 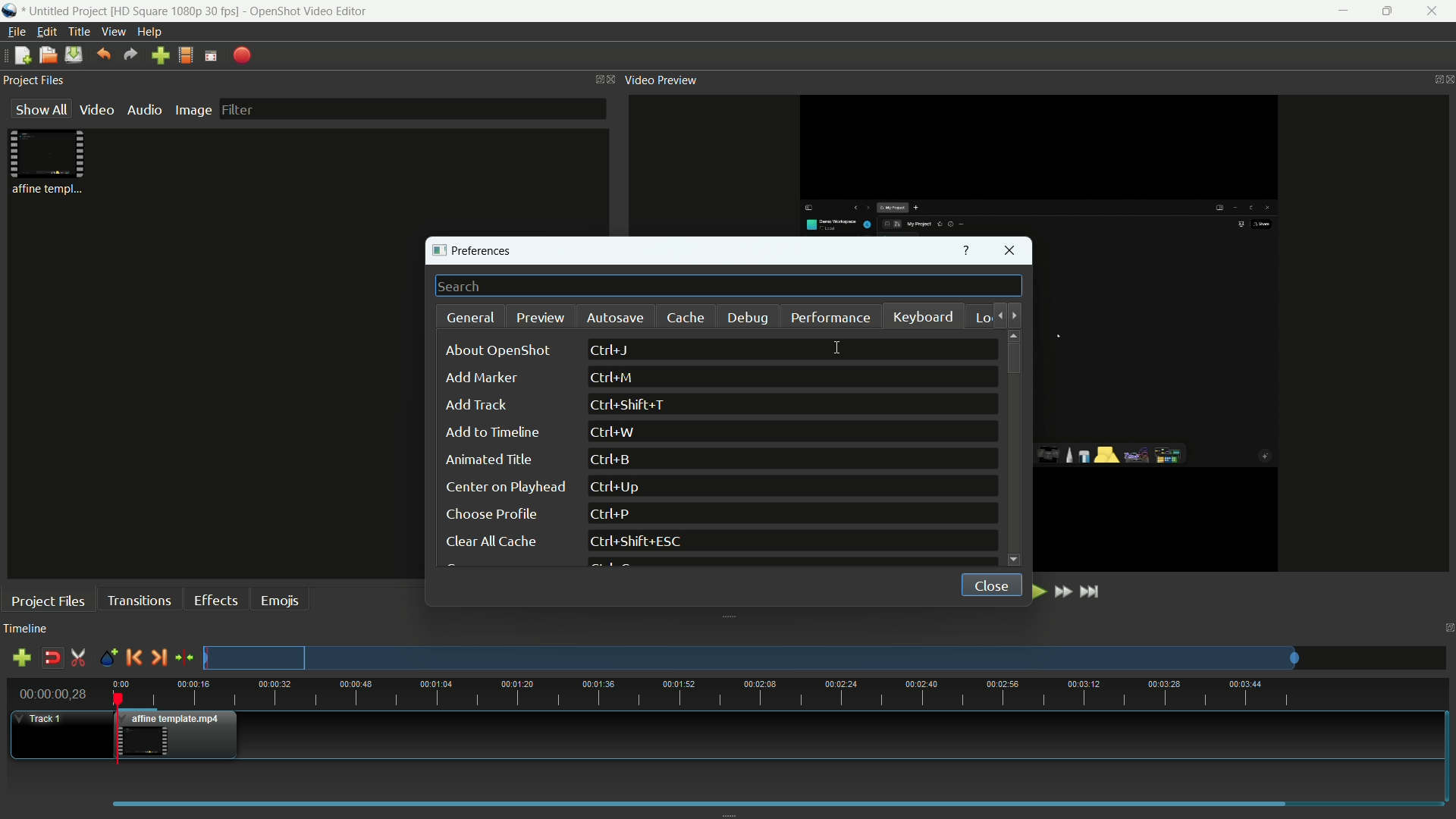 What do you see at coordinates (193, 110) in the screenshot?
I see `image` at bounding box center [193, 110].